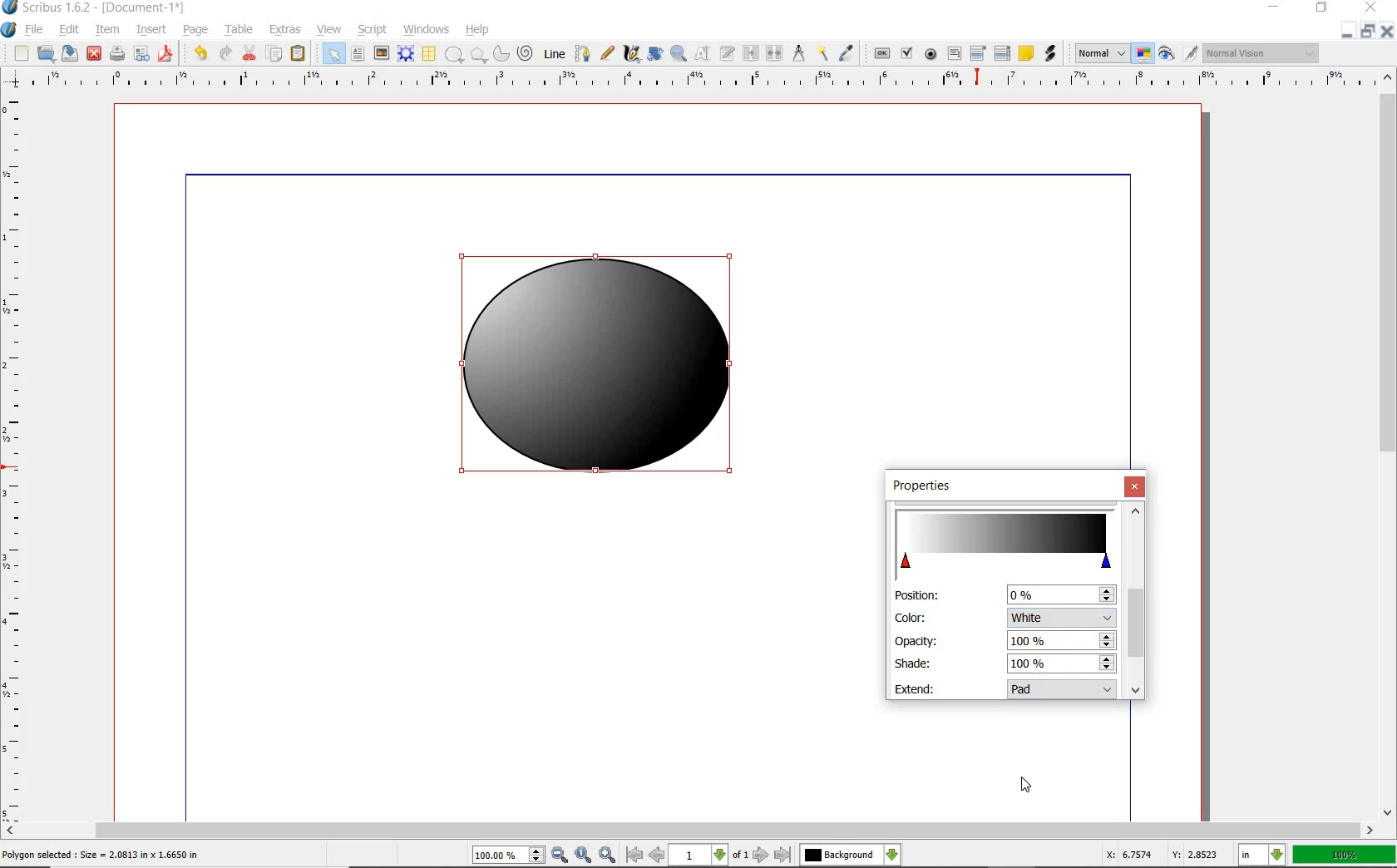 Image resolution: width=1397 pixels, height=868 pixels. Describe the element at coordinates (239, 30) in the screenshot. I see `TABLE` at that location.